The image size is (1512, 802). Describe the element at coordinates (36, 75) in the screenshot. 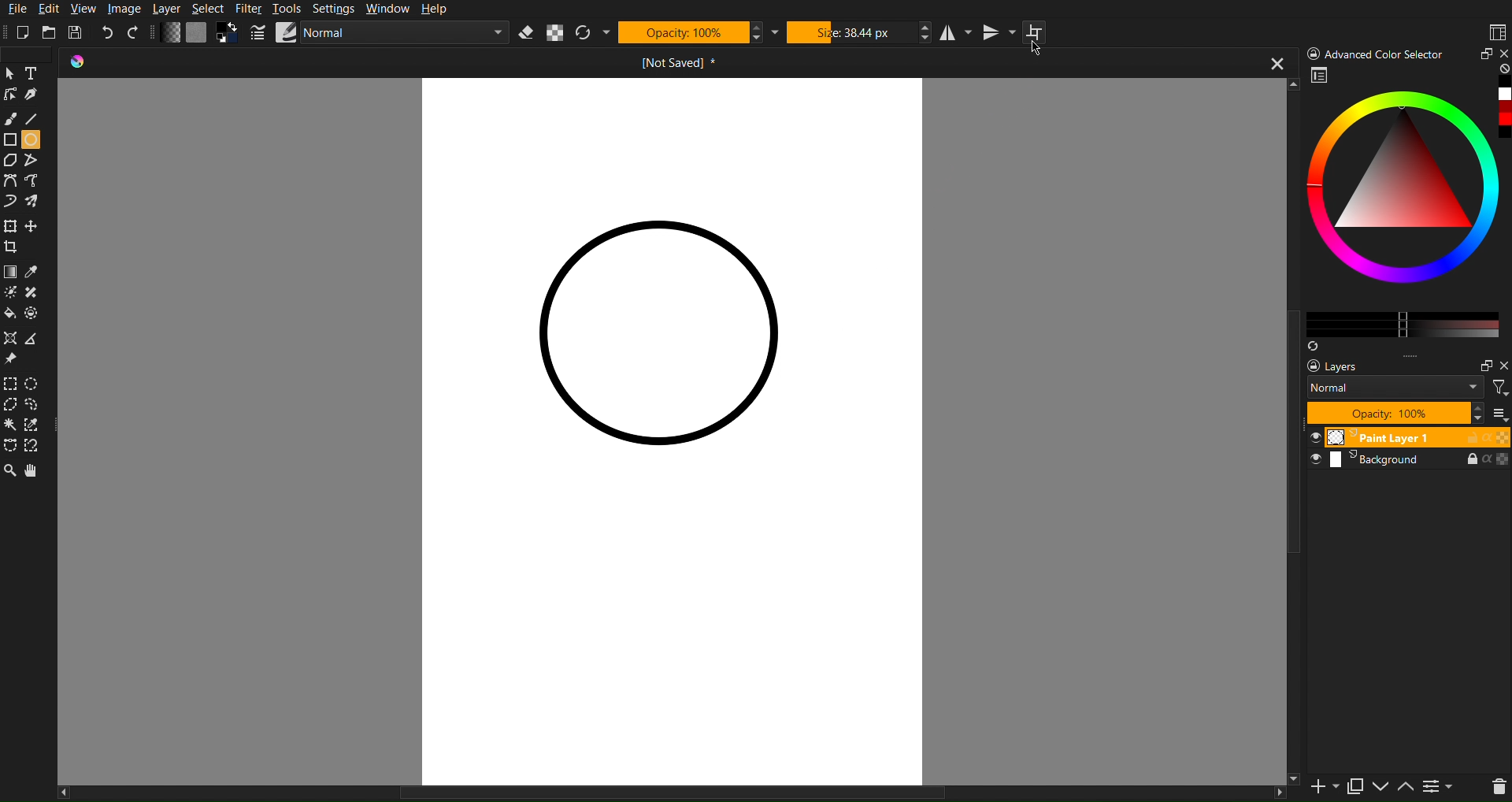

I see `Text` at that location.